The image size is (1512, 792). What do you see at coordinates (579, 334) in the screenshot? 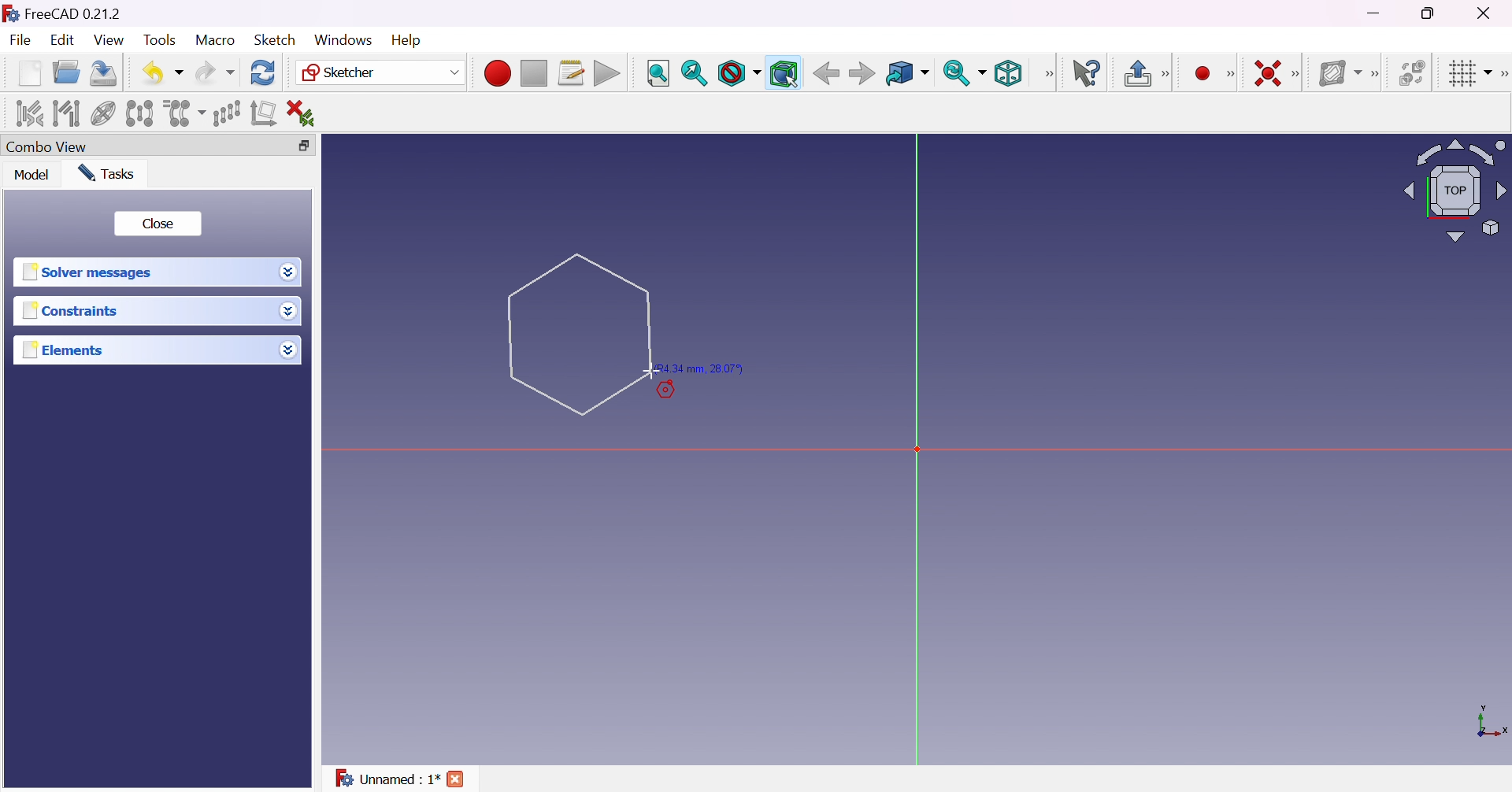
I see `Polygon` at bounding box center [579, 334].